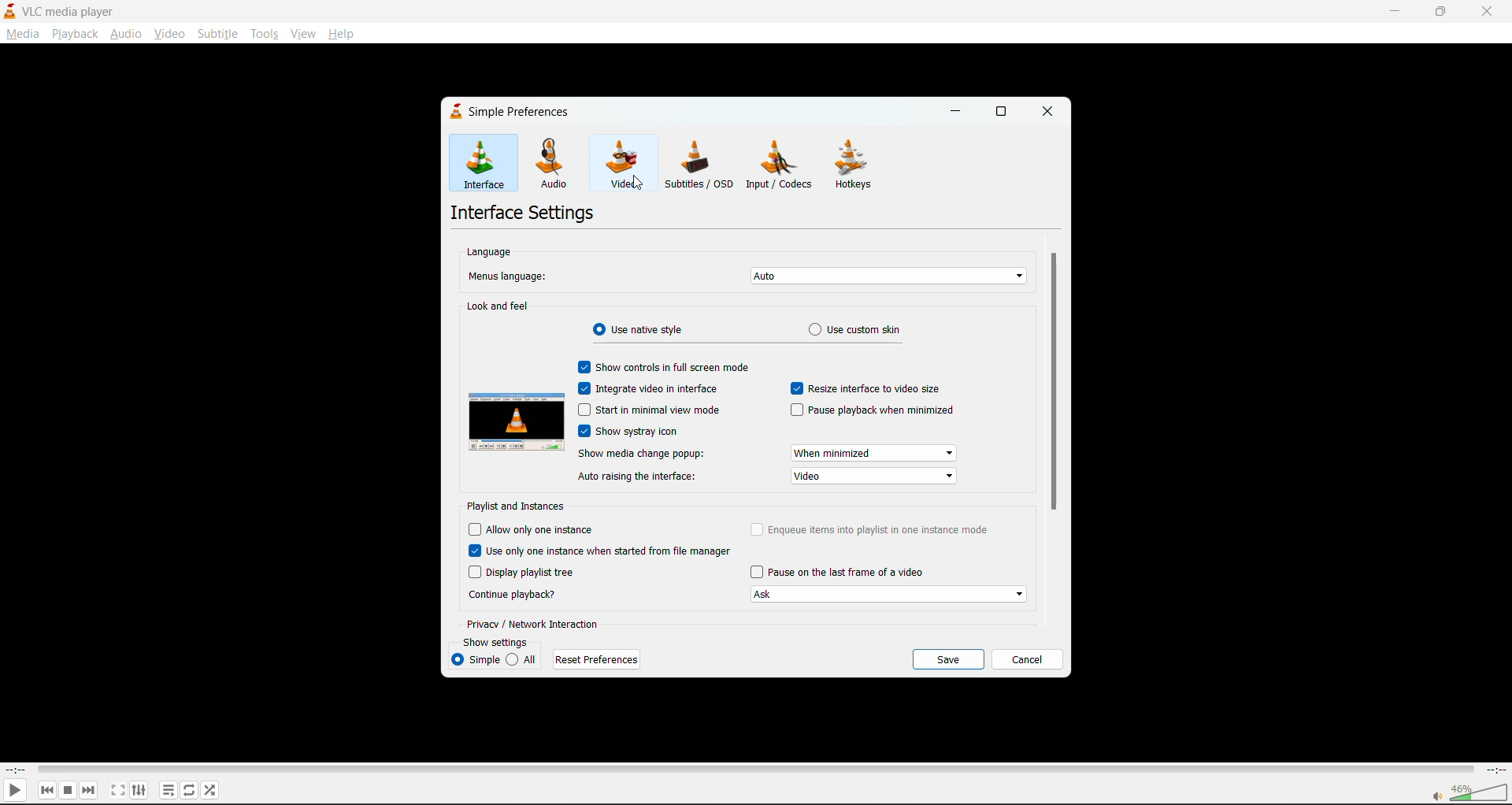  Describe the element at coordinates (339, 35) in the screenshot. I see `help` at that location.